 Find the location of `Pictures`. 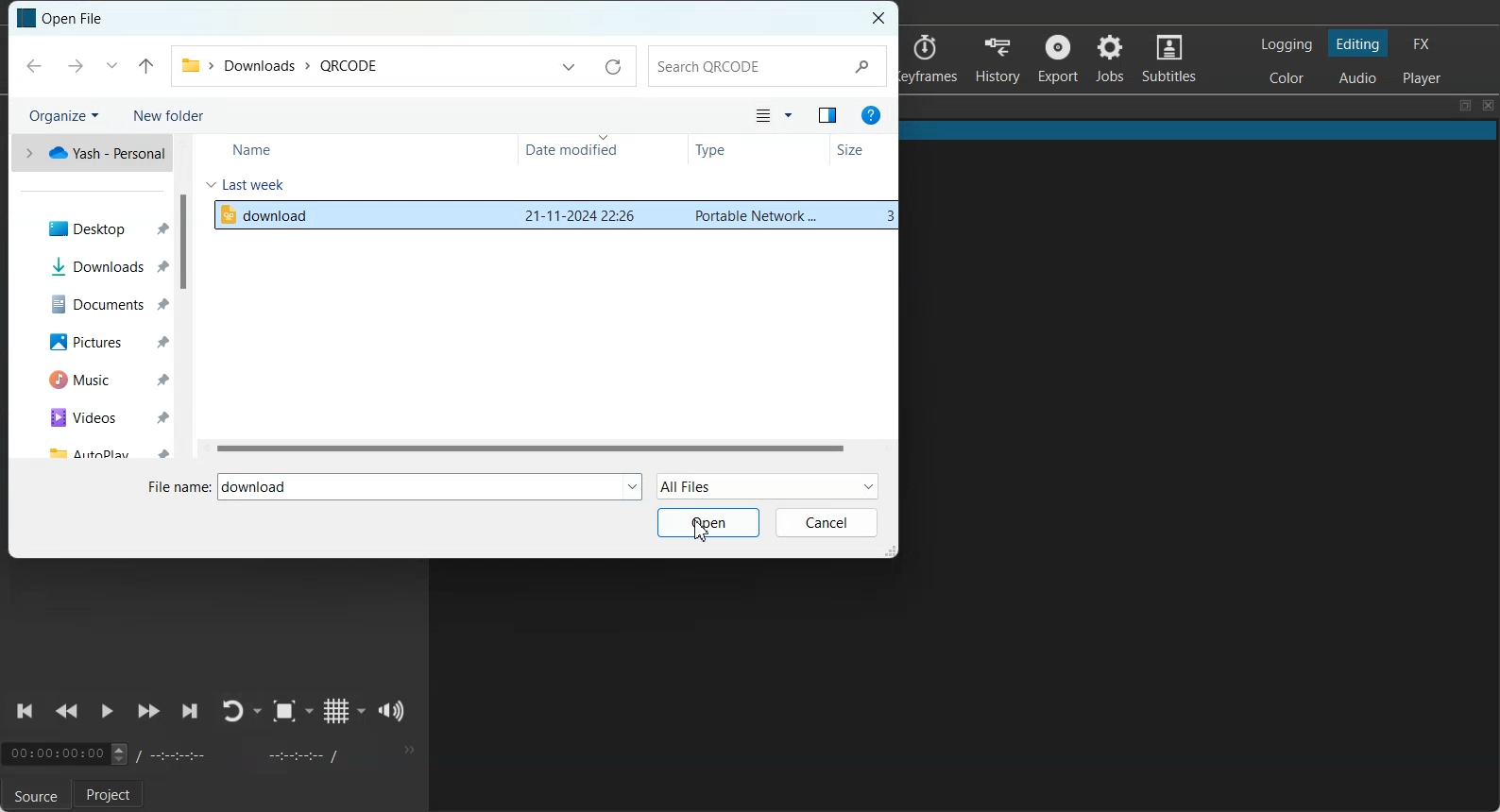

Pictures is located at coordinates (100, 342).